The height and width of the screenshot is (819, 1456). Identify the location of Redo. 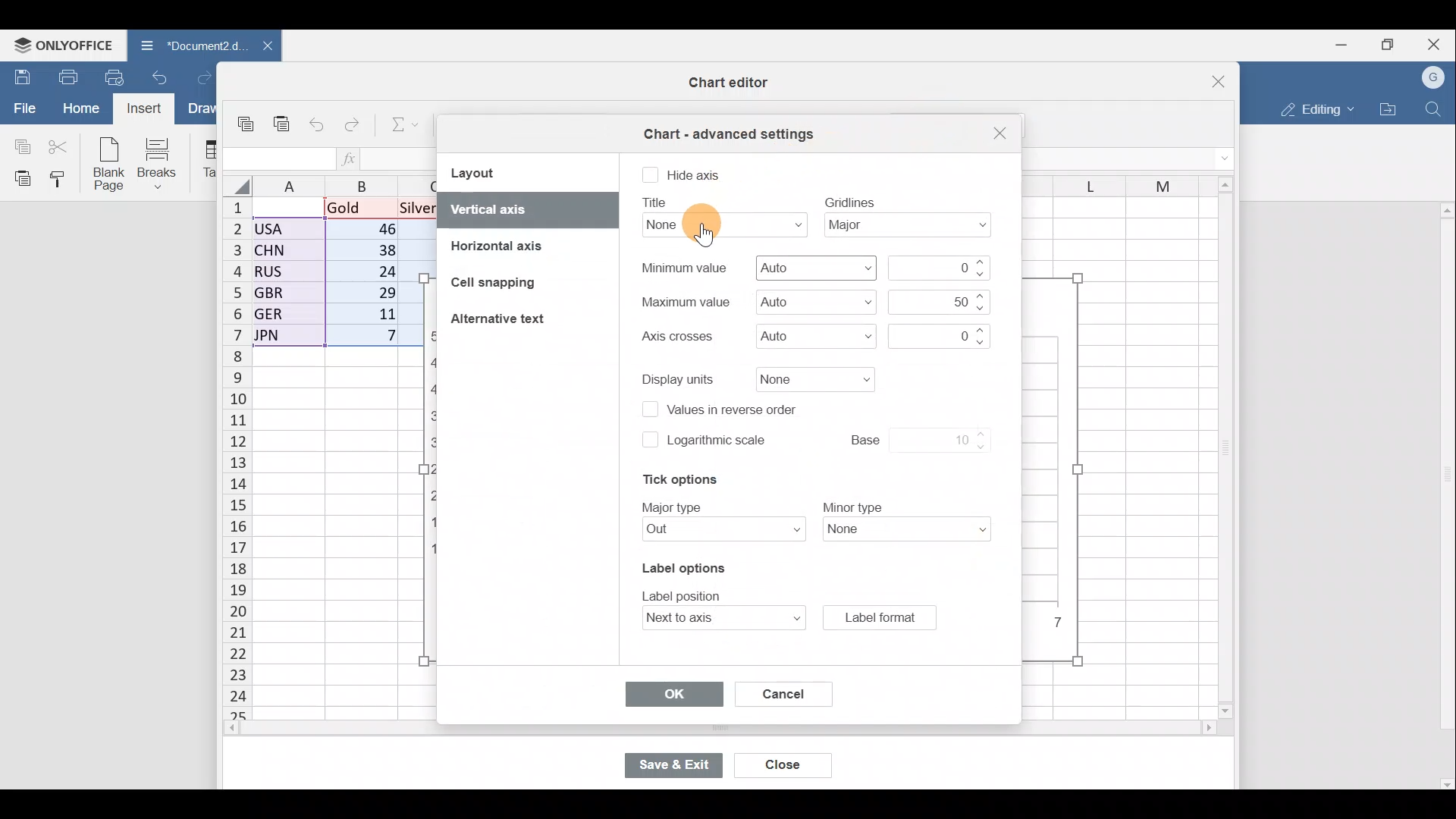
(200, 76).